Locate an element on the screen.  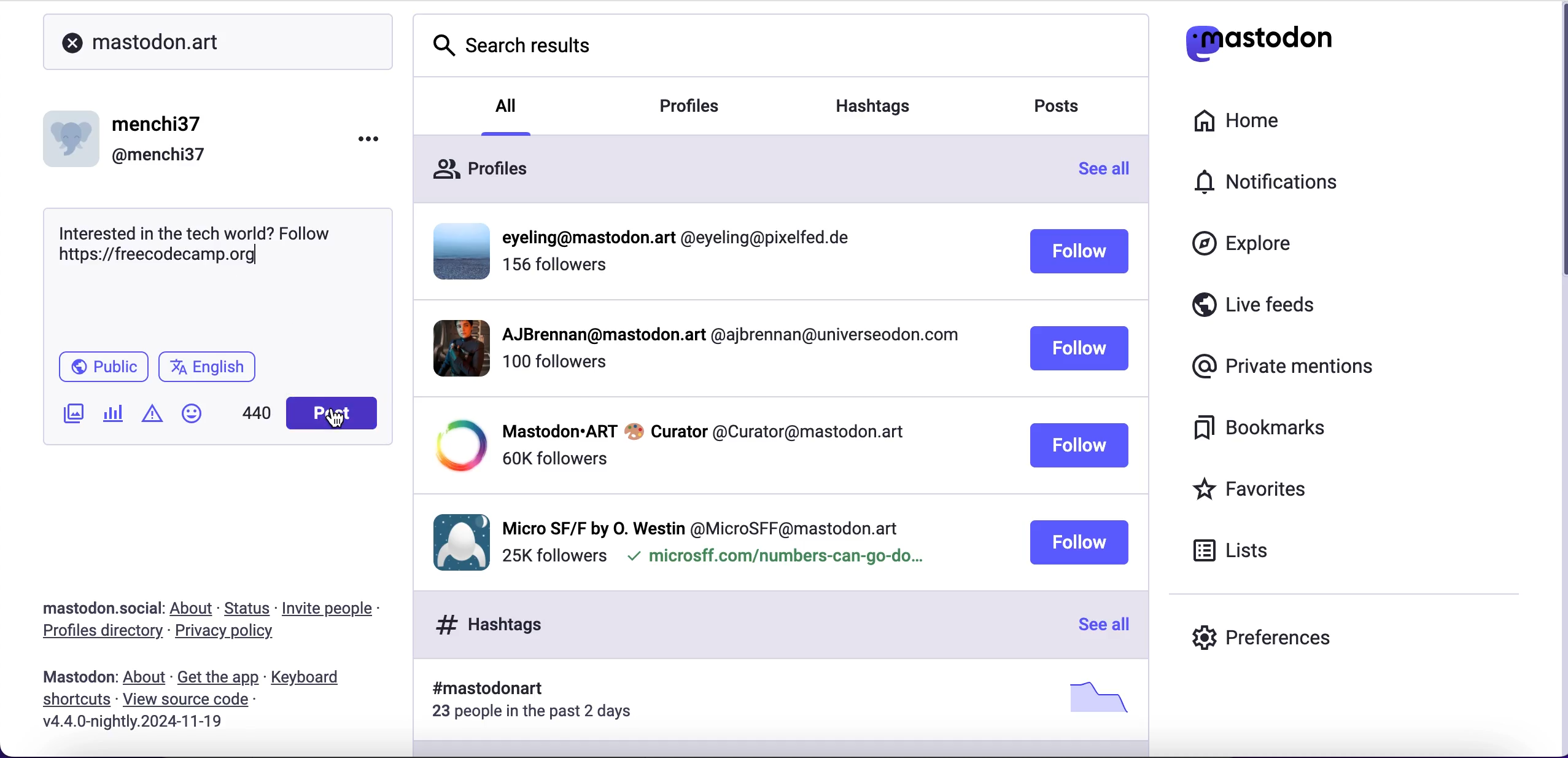
hashtags is located at coordinates (733, 624).